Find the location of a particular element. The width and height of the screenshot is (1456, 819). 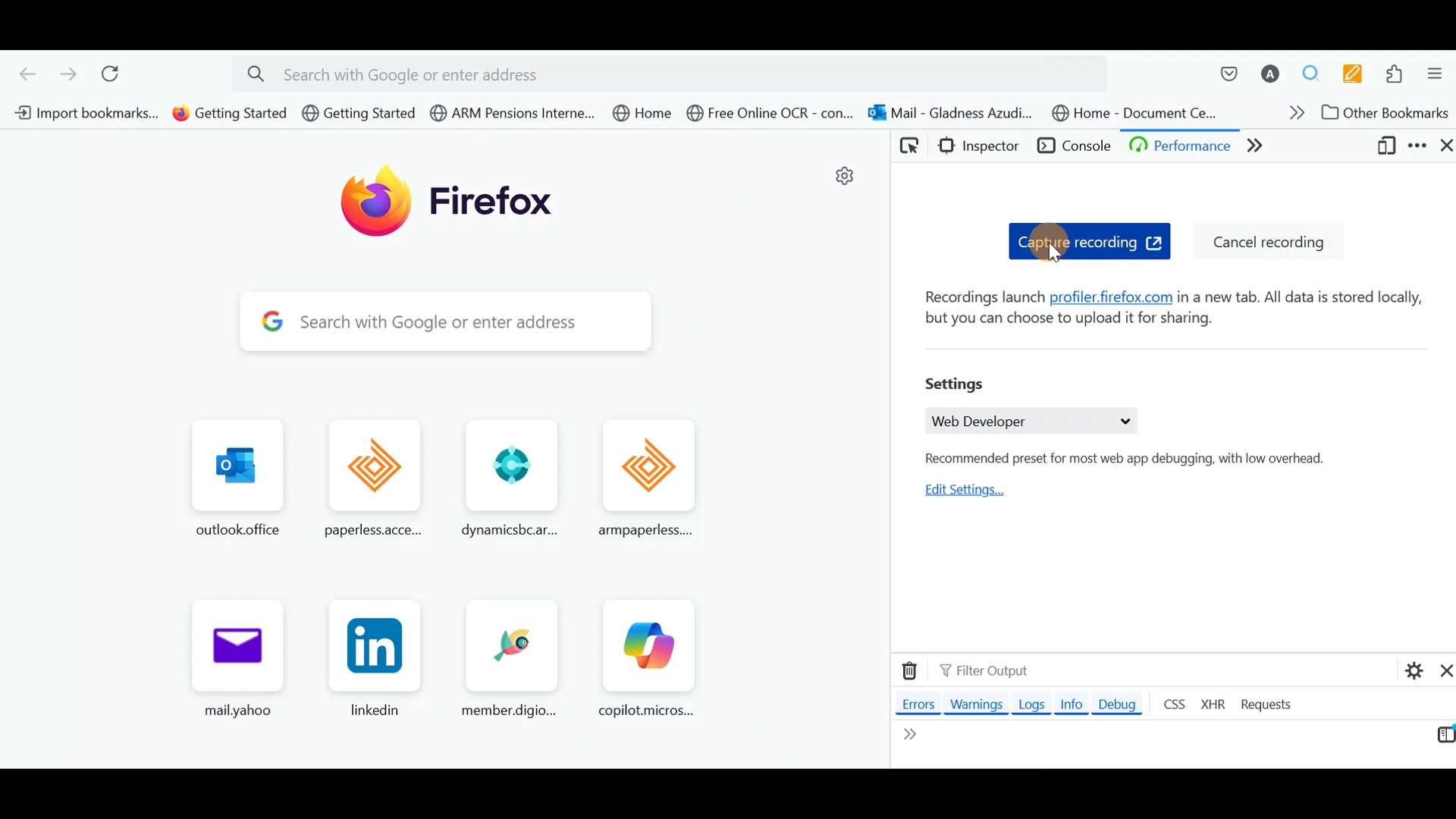

Switch to multi line editor mode is located at coordinates (1440, 739).